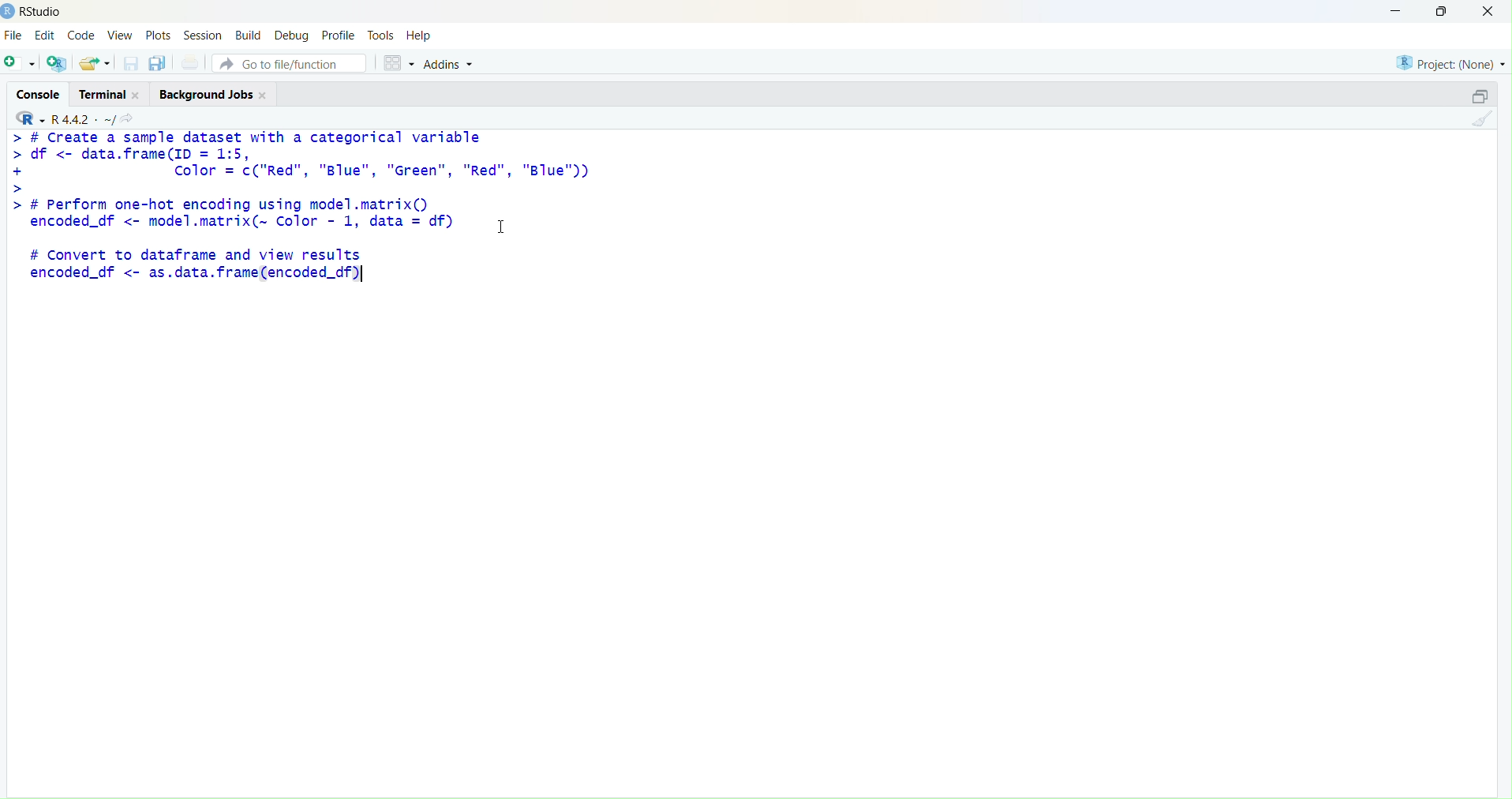  I want to click on > # Create a sample dataset with a categorical variable> df <- data.frame(ID = 1:5,+ color = c("Red", "Blue", "Green", "Red", "Blue"))>> # Perform one-hot encoding using model.matrix()encoded_df <- model.matrix(~ Color - 1, data = df) I# Convert to dataframe and view resultsencoded_df <- as.data.frame(encoded_df), so click(300, 208).